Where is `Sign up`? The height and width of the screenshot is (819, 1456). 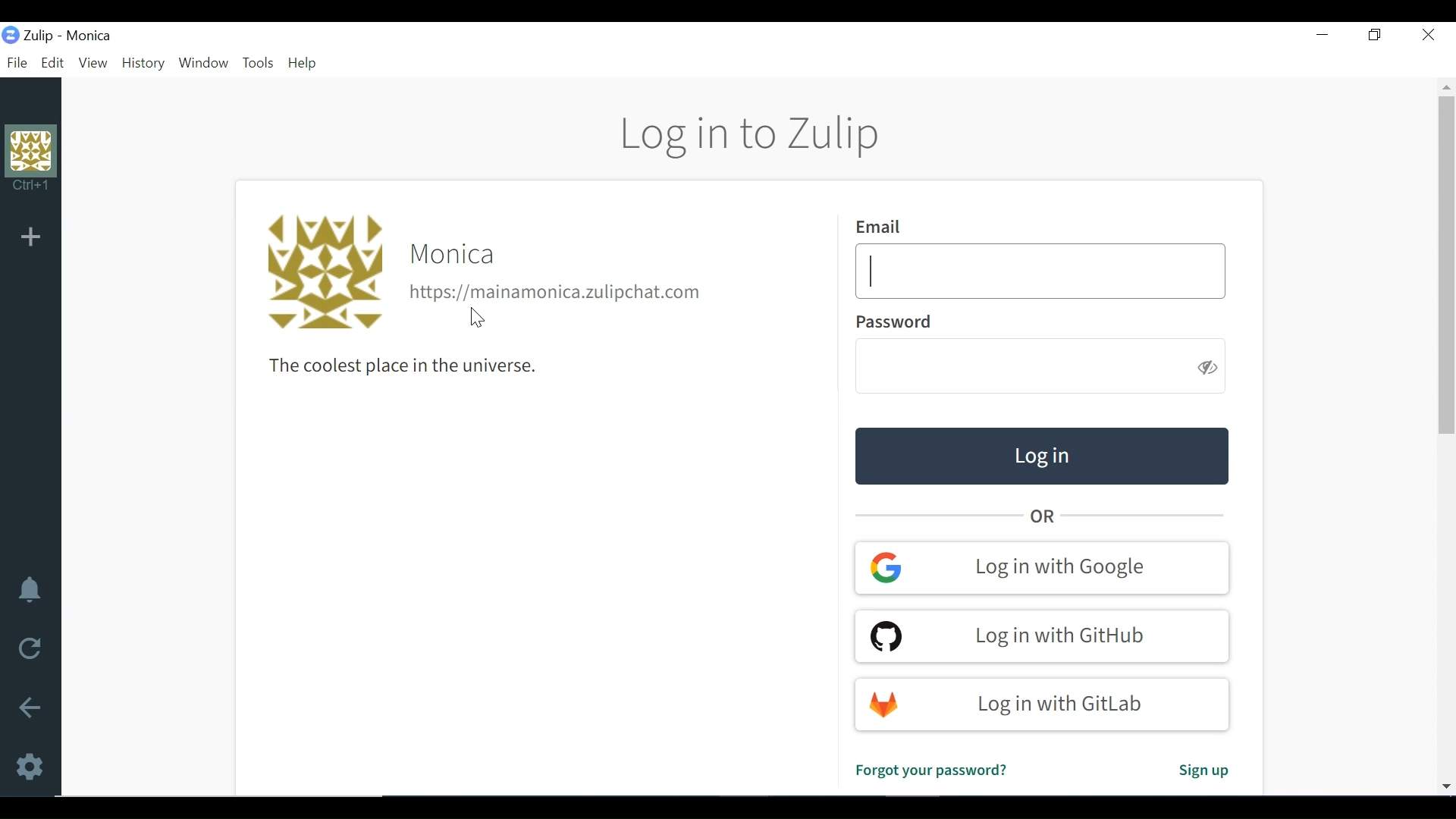
Sign up is located at coordinates (1202, 773).